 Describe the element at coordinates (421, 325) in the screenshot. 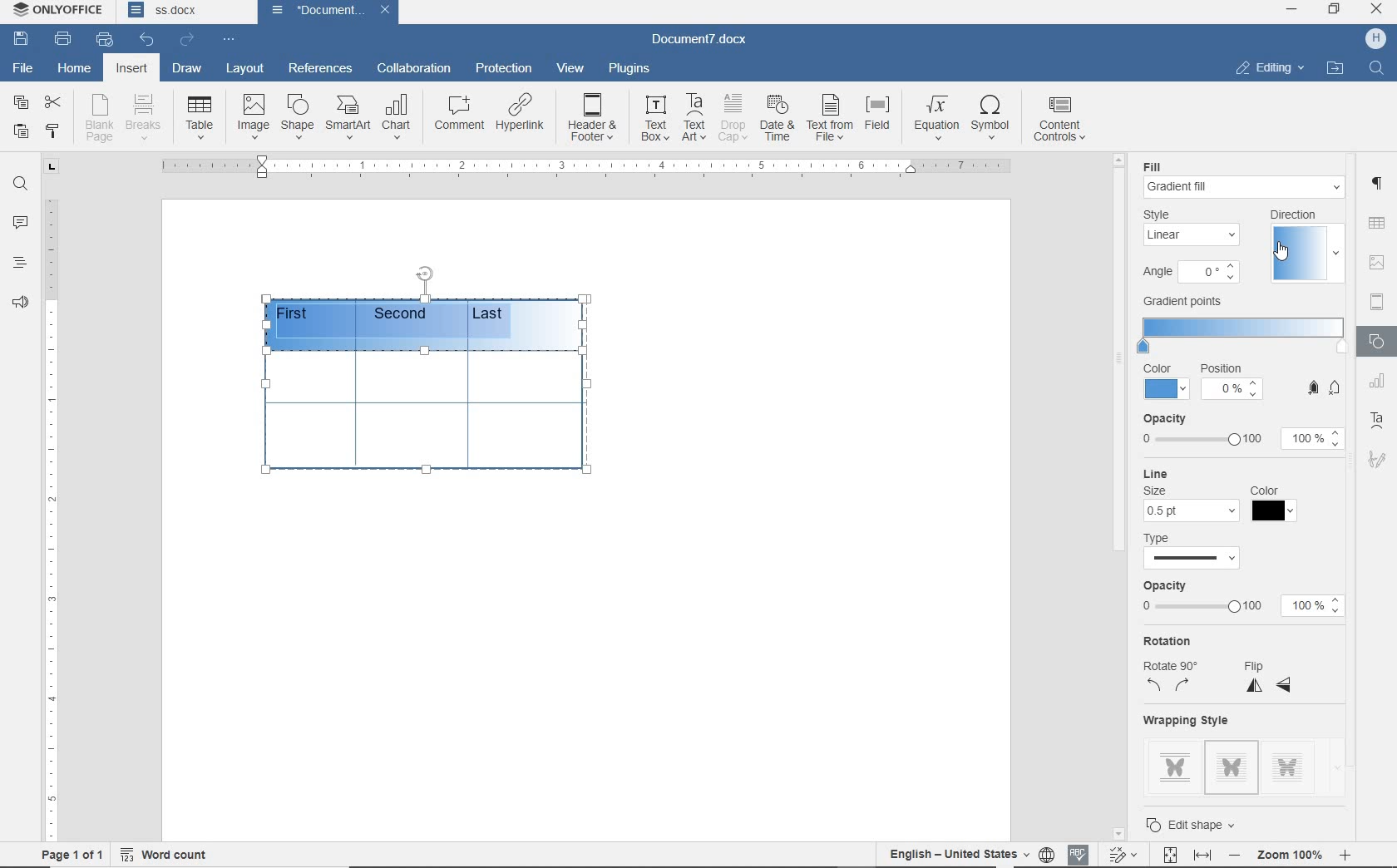

I see `gradient point addded` at that location.